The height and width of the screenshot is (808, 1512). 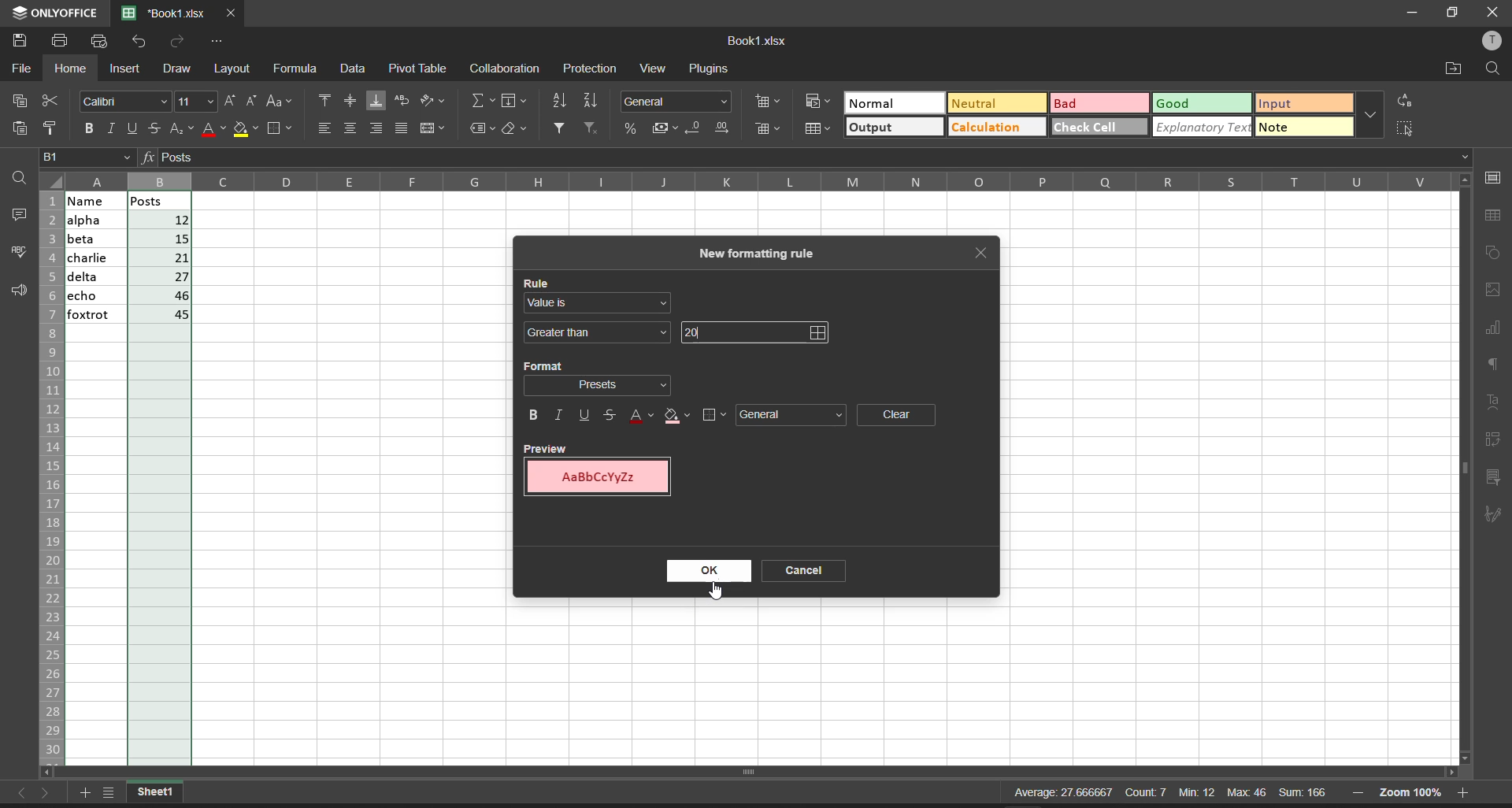 What do you see at coordinates (22, 178) in the screenshot?
I see `find` at bounding box center [22, 178].